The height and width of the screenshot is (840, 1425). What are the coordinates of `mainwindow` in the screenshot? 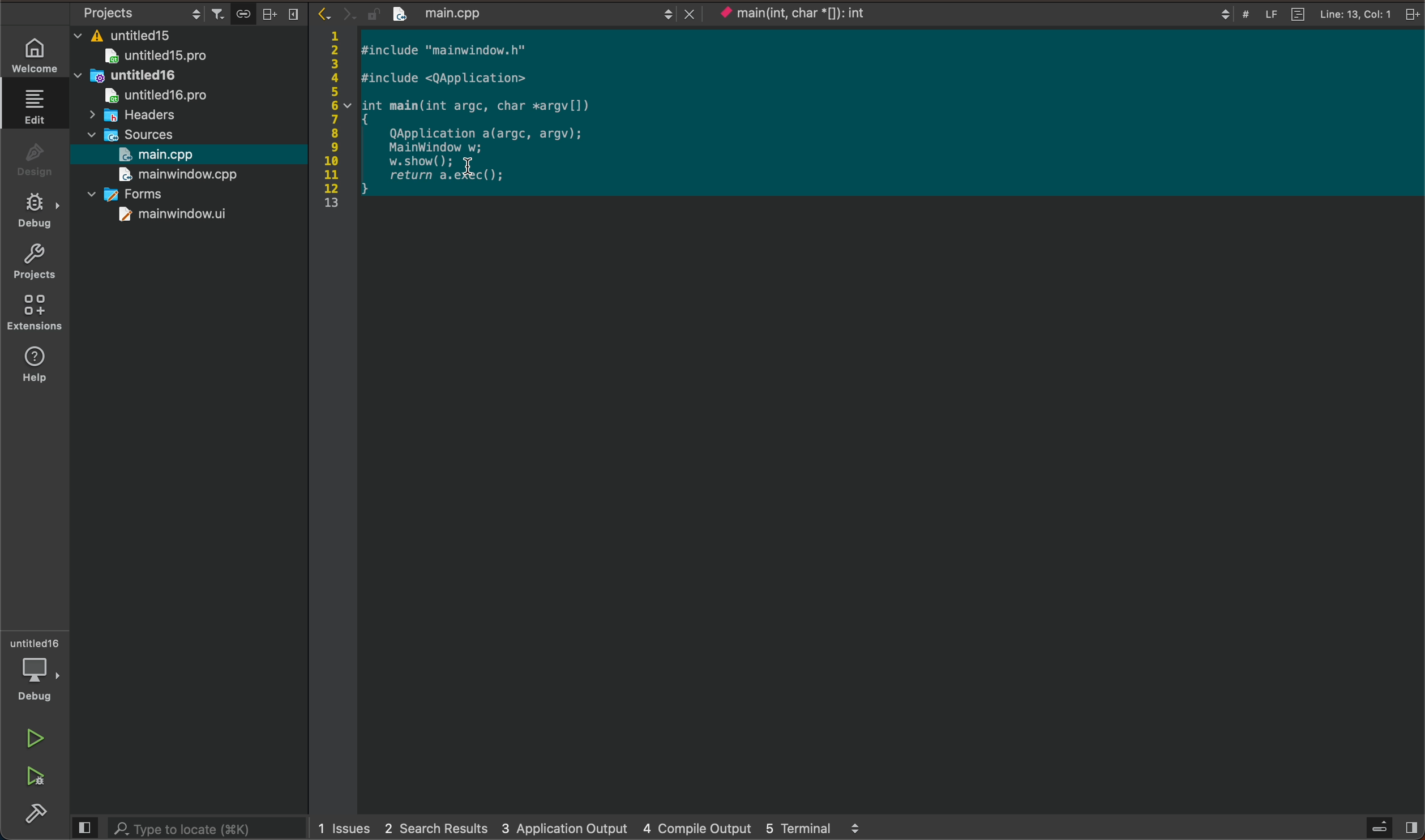 It's located at (173, 215).